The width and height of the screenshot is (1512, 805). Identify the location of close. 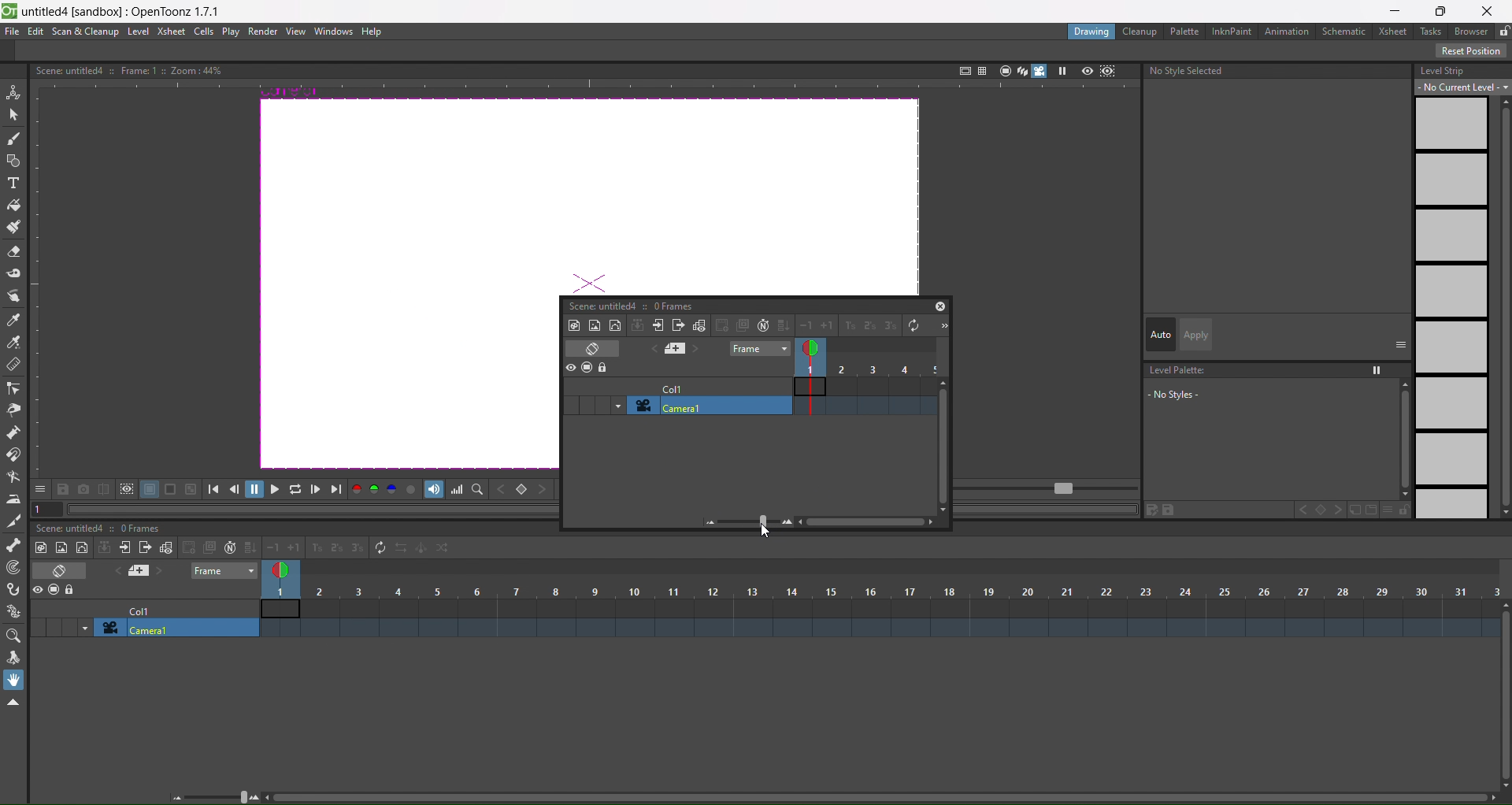
(1492, 9).